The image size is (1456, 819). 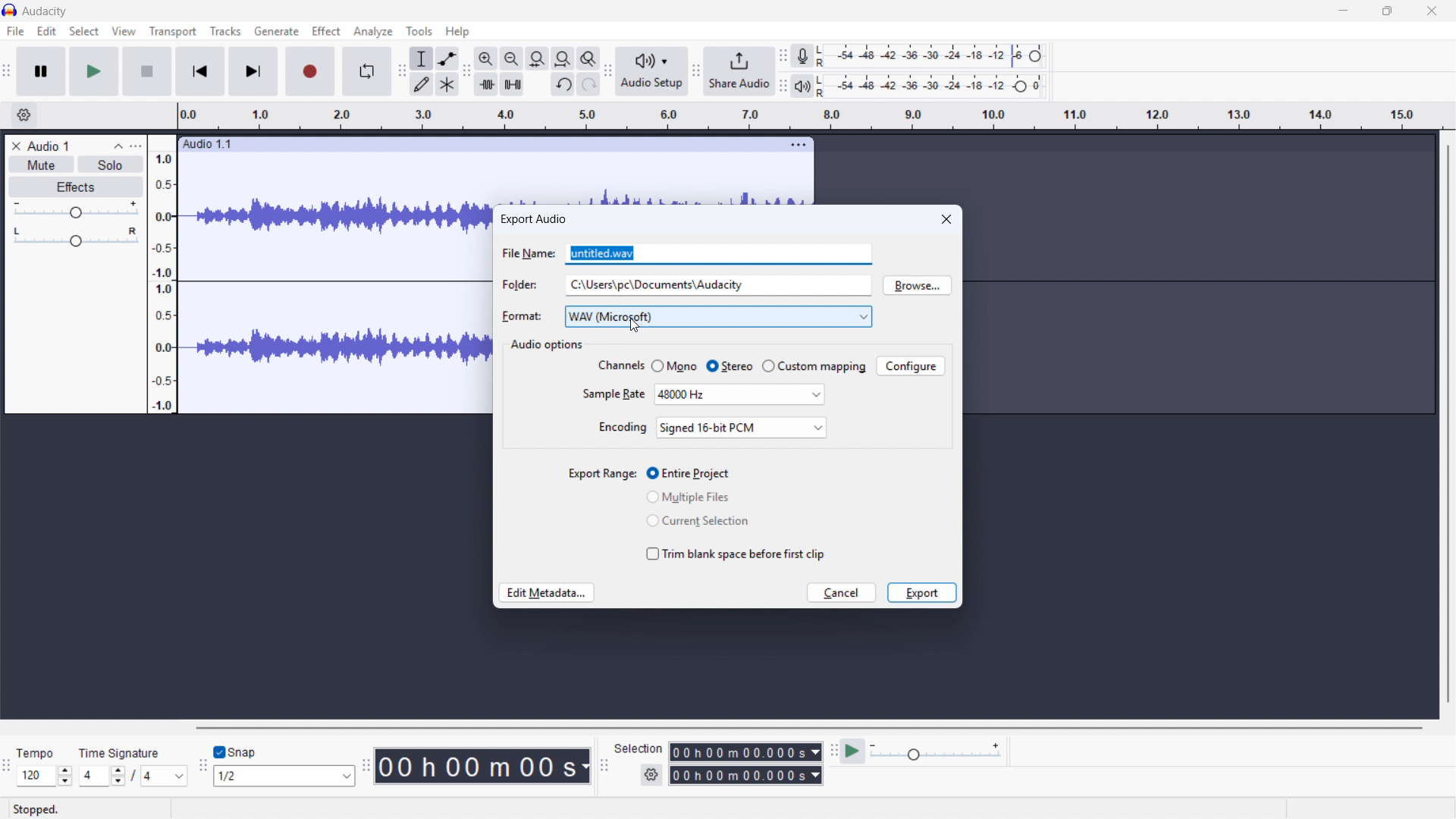 I want to click on Share audio , so click(x=740, y=71).